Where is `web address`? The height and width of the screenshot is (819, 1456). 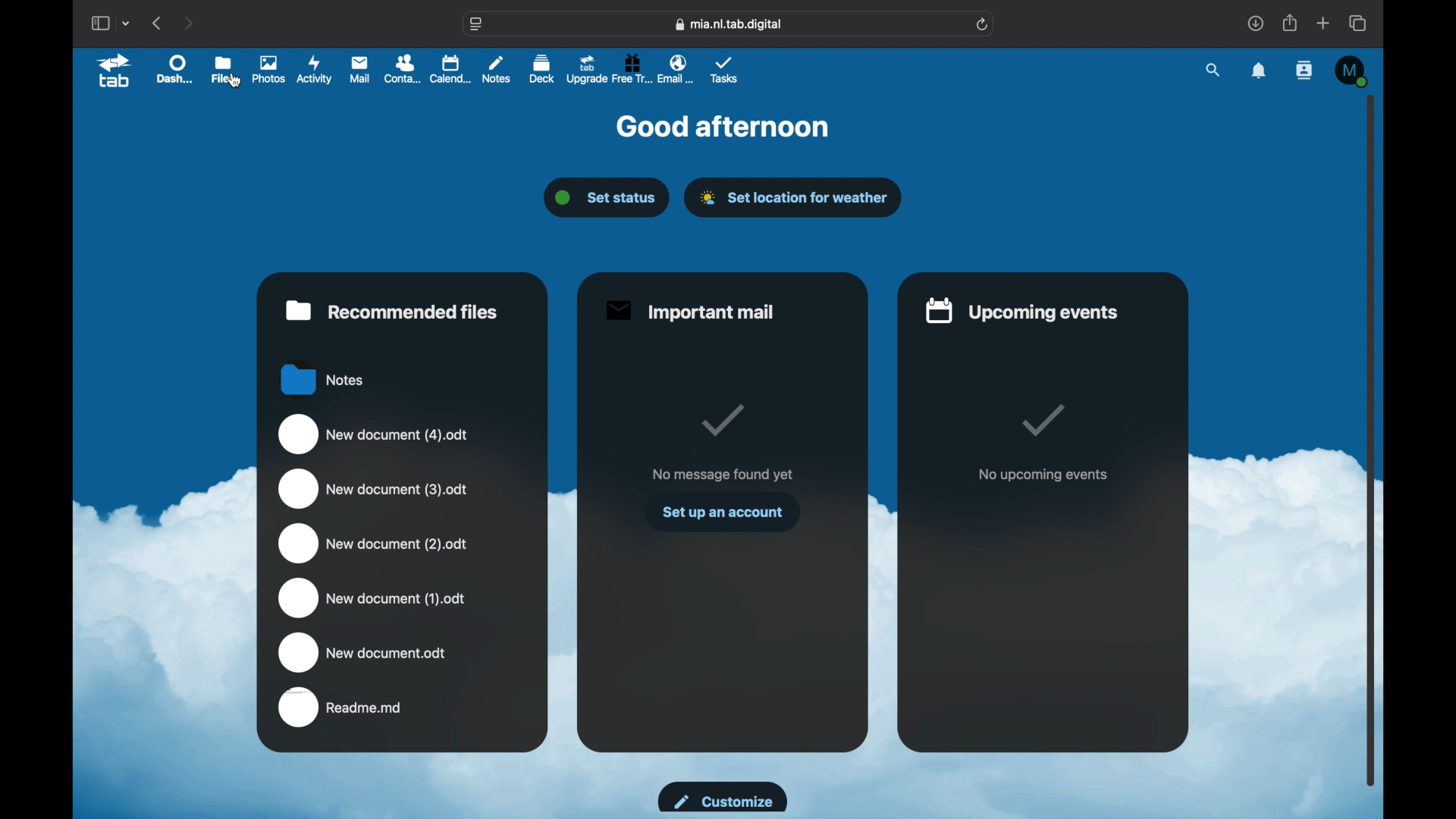
web address is located at coordinates (729, 24).